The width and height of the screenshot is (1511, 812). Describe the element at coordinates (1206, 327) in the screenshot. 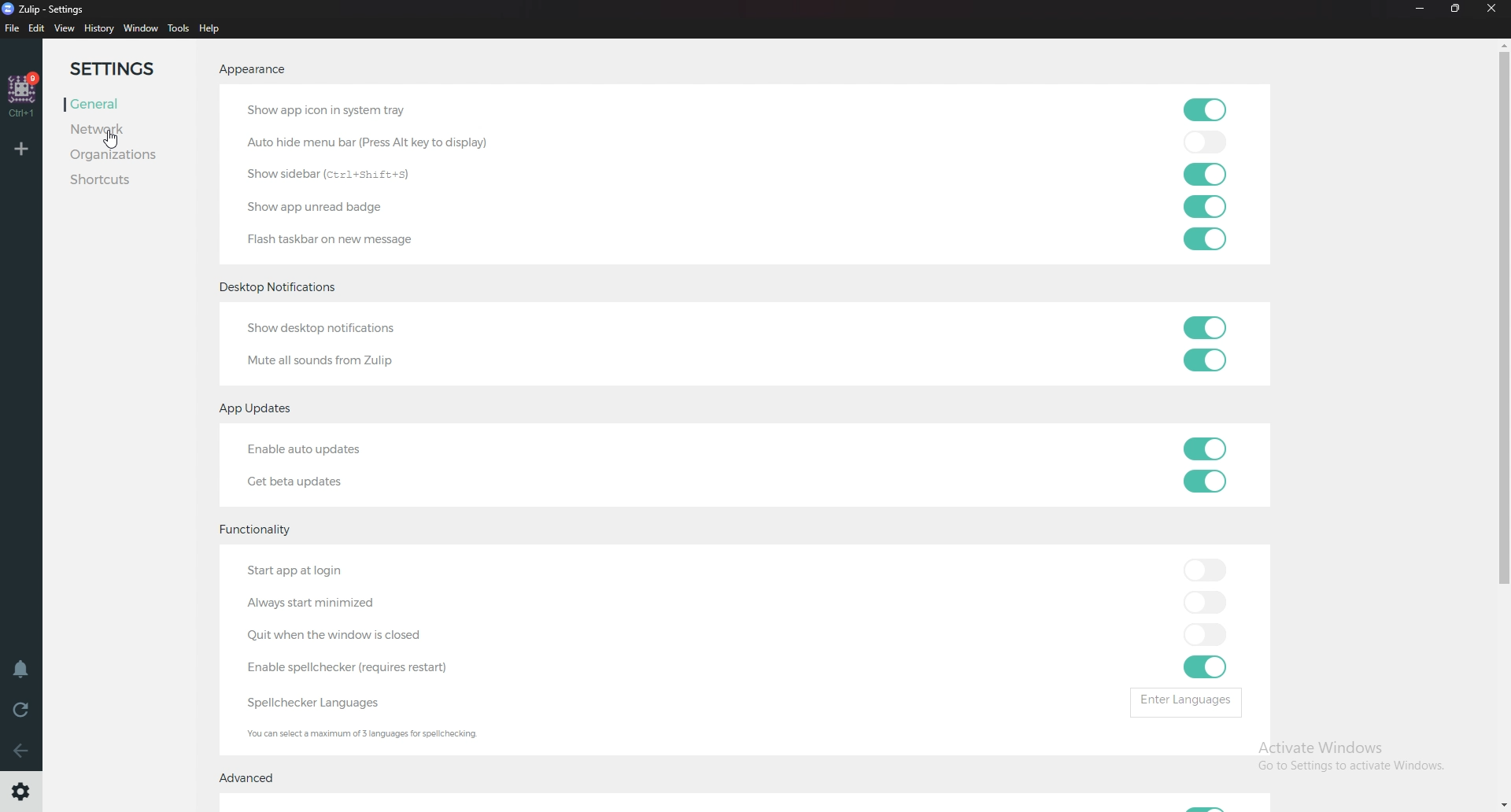

I see `toggle` at that location.